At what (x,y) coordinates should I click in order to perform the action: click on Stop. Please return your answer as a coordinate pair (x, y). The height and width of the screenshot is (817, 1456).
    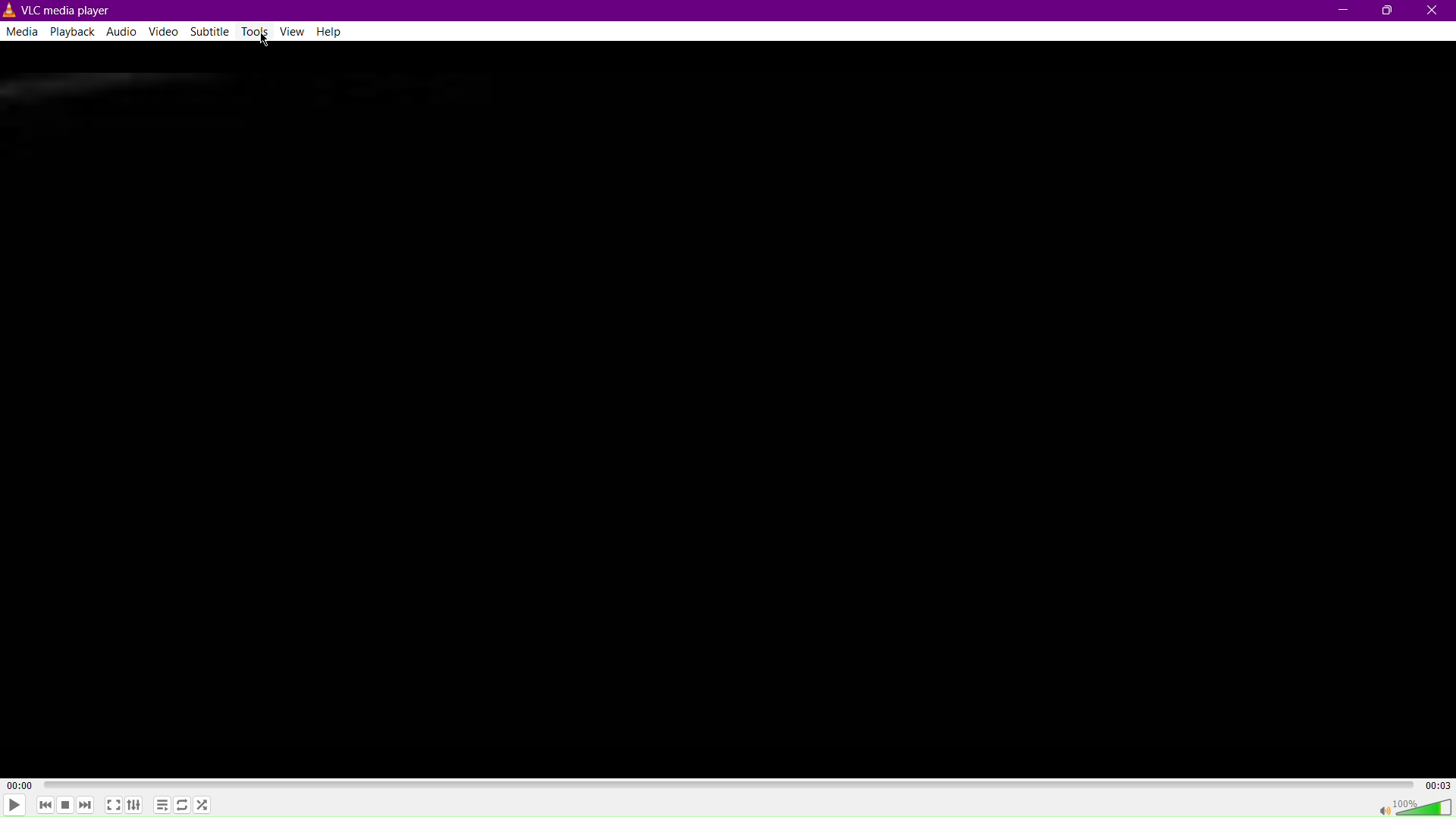
    Looking at the image, I should click on (66, 804).